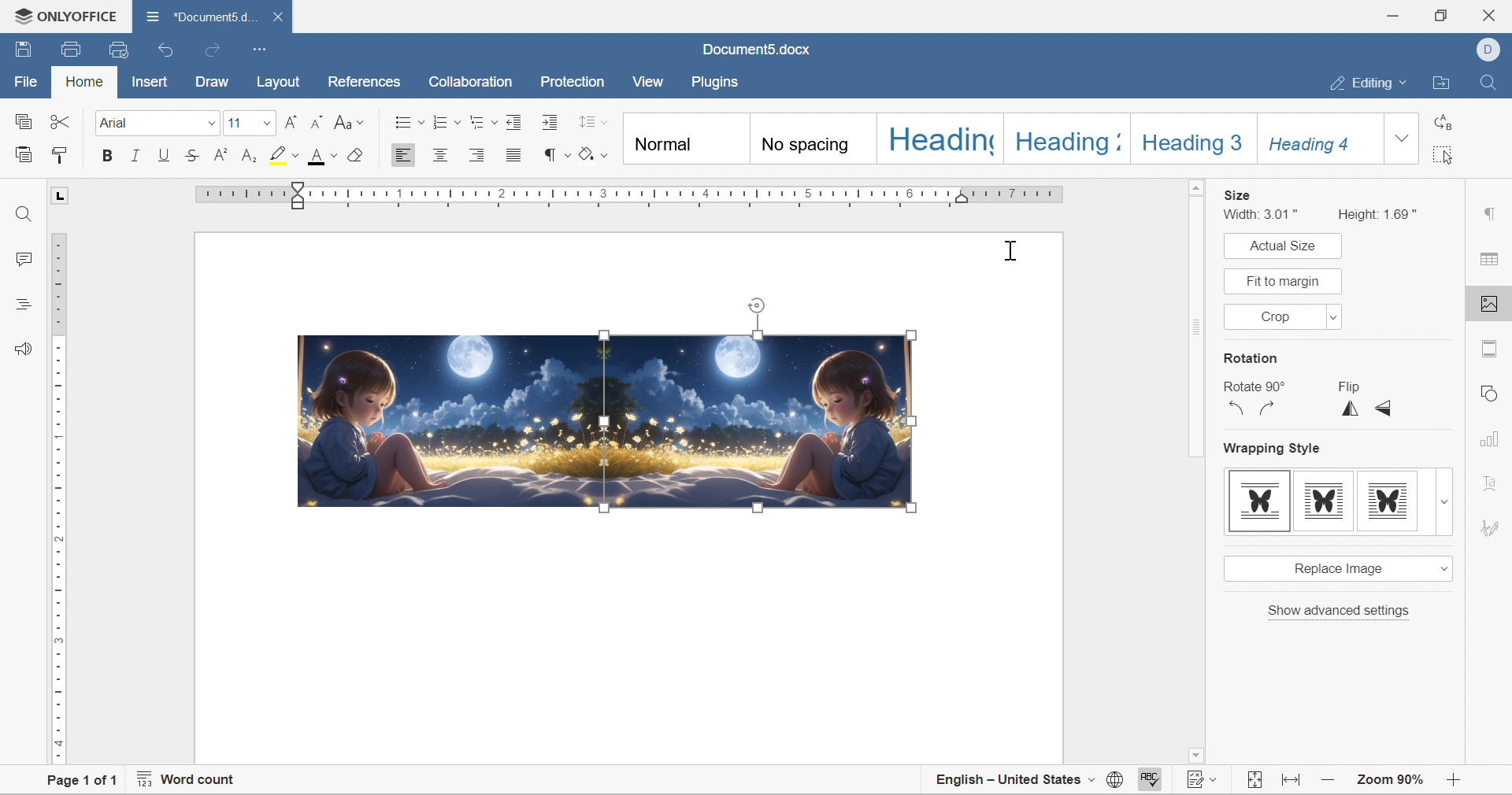 This screenshot has height=795, width=1512. I want to click on show advanced settings, so click(1340, 611).